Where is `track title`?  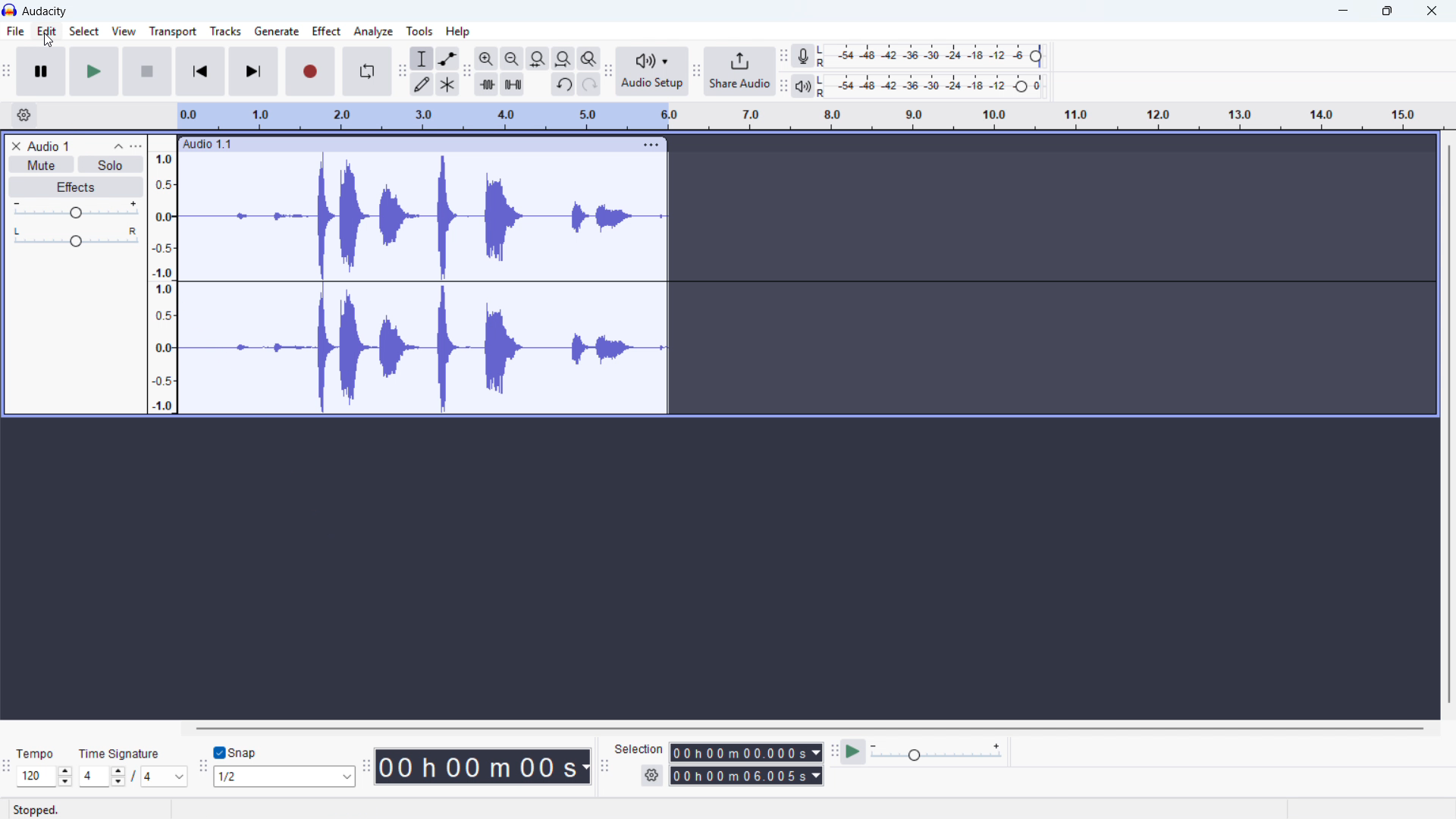
track title is located at coordinates (50, 146).